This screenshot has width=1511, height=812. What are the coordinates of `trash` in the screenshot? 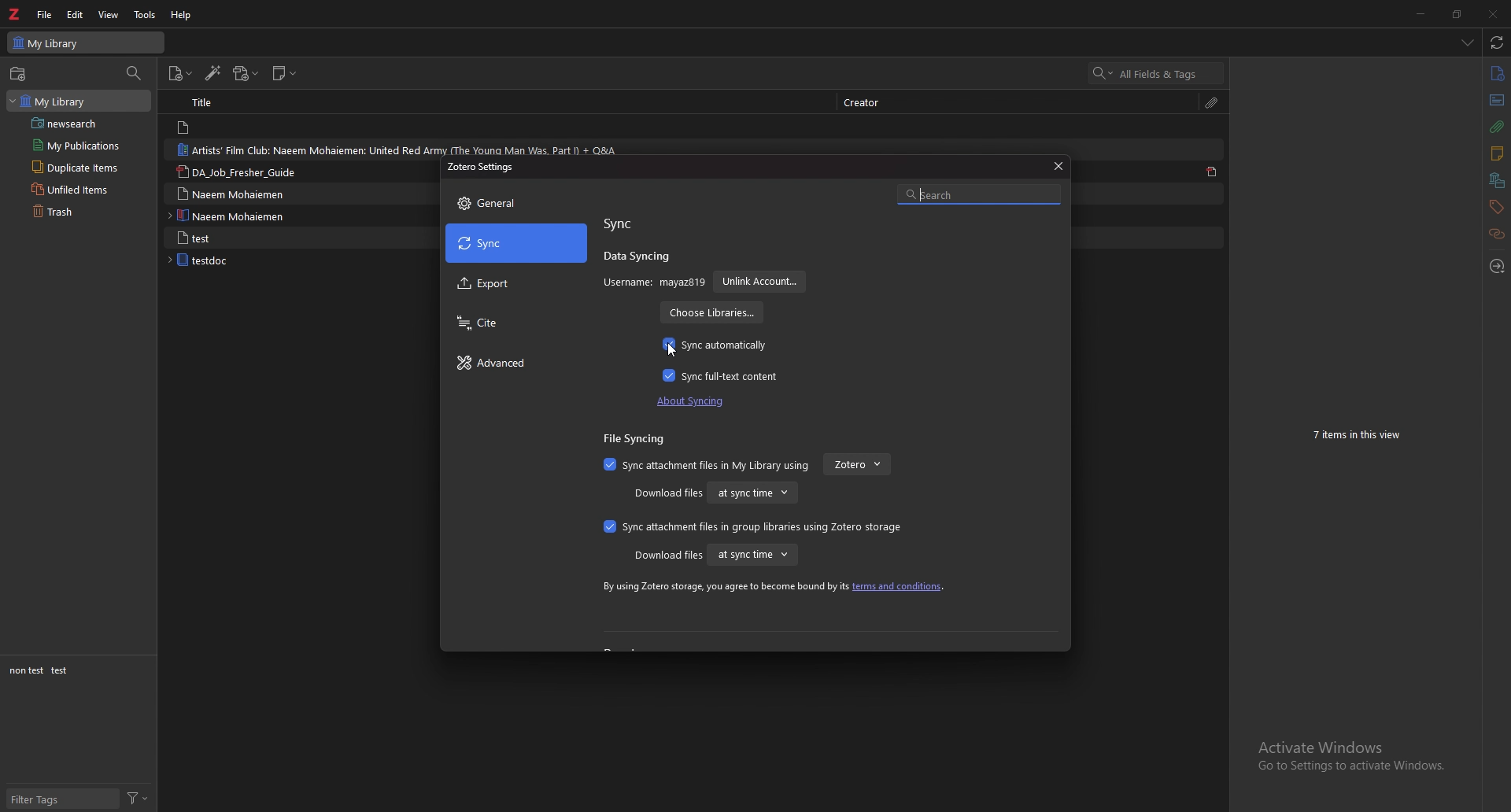 It's located at (85, 212).